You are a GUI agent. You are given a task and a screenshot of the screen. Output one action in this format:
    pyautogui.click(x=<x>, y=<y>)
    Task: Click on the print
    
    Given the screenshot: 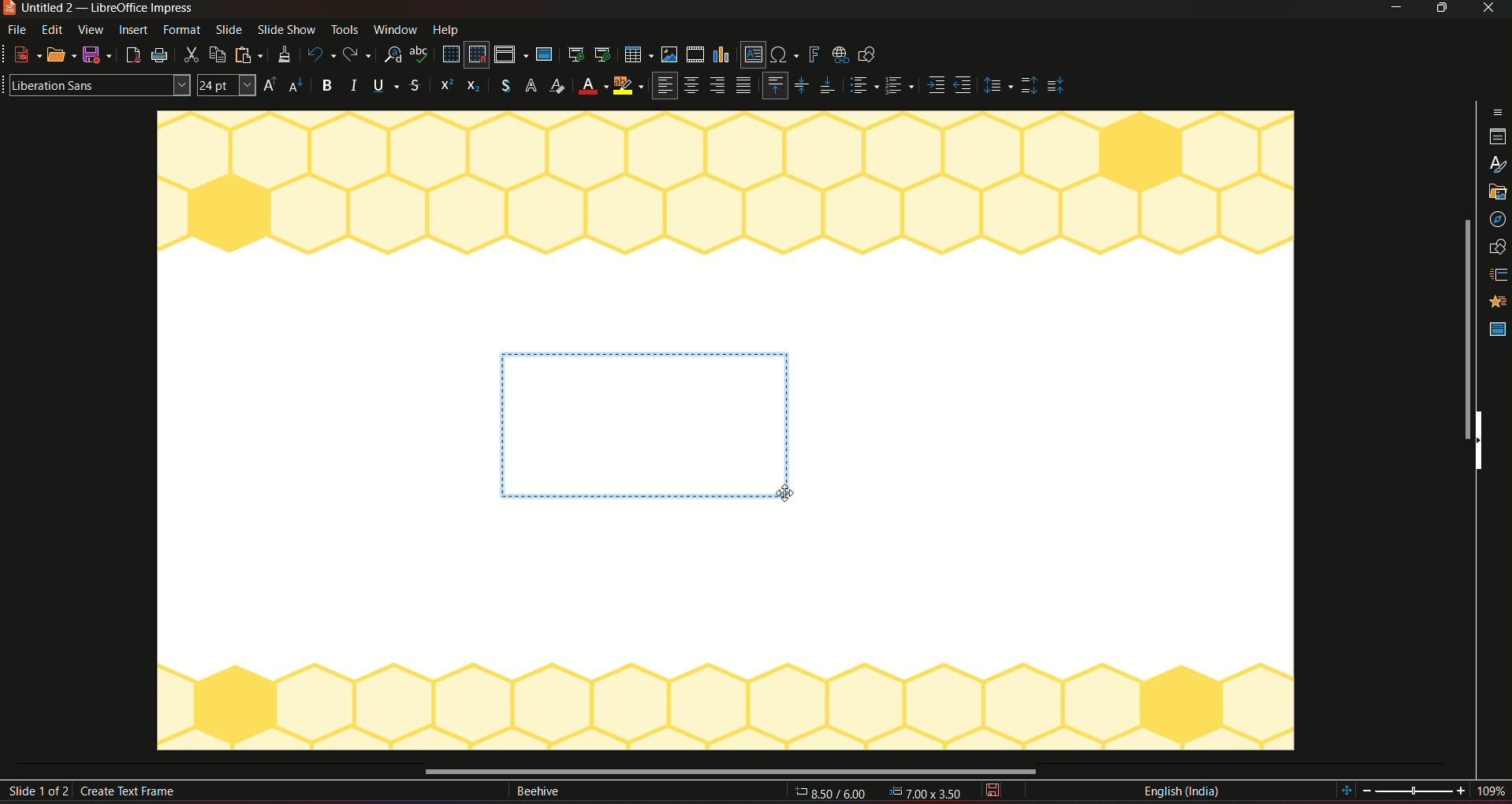 What is the action you would take?
    pyautogui.click(x=162, y=56)
    